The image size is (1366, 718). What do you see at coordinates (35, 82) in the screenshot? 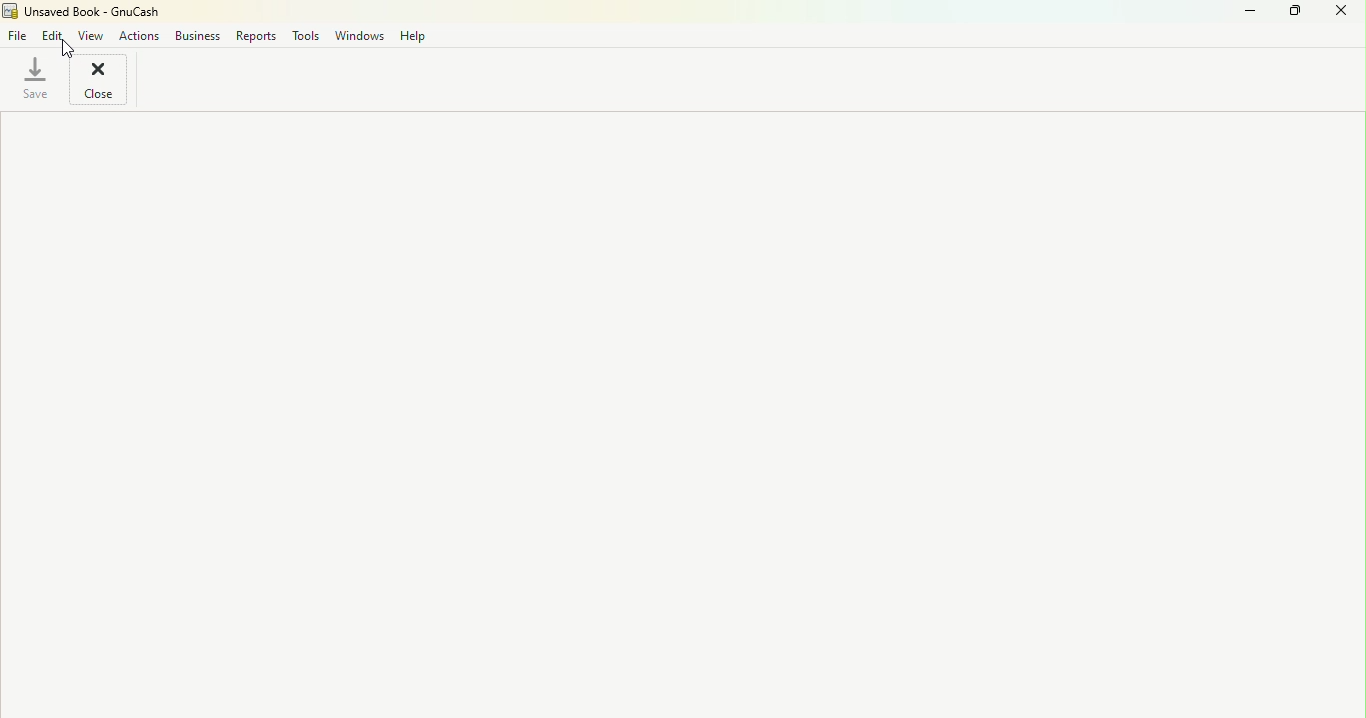
I see `Save` at bounding box center [35, 82].